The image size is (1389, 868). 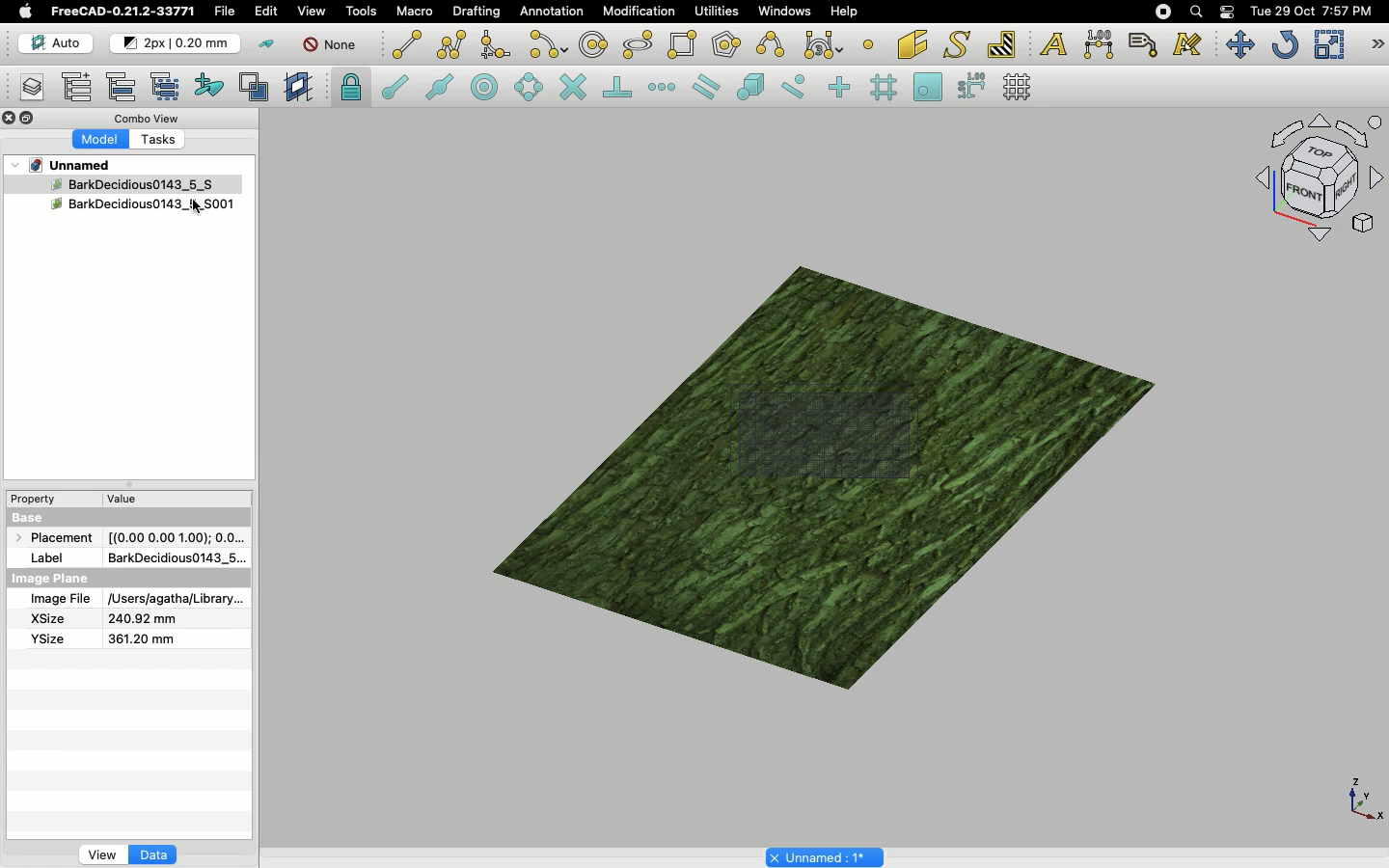 I want to click on FreeCAD, so click(x=124, y=12).